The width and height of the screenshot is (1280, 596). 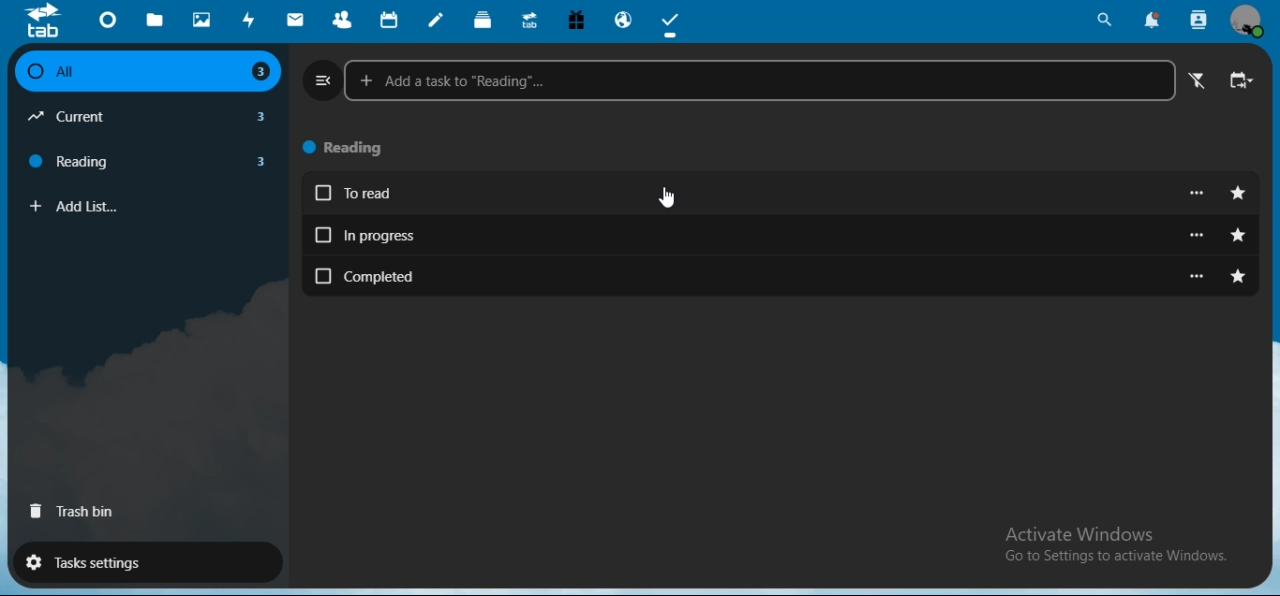 What do you see at coordinates (322, 233) in the screenshot?
I see `Checkbox` at bounding box center [322, 233].